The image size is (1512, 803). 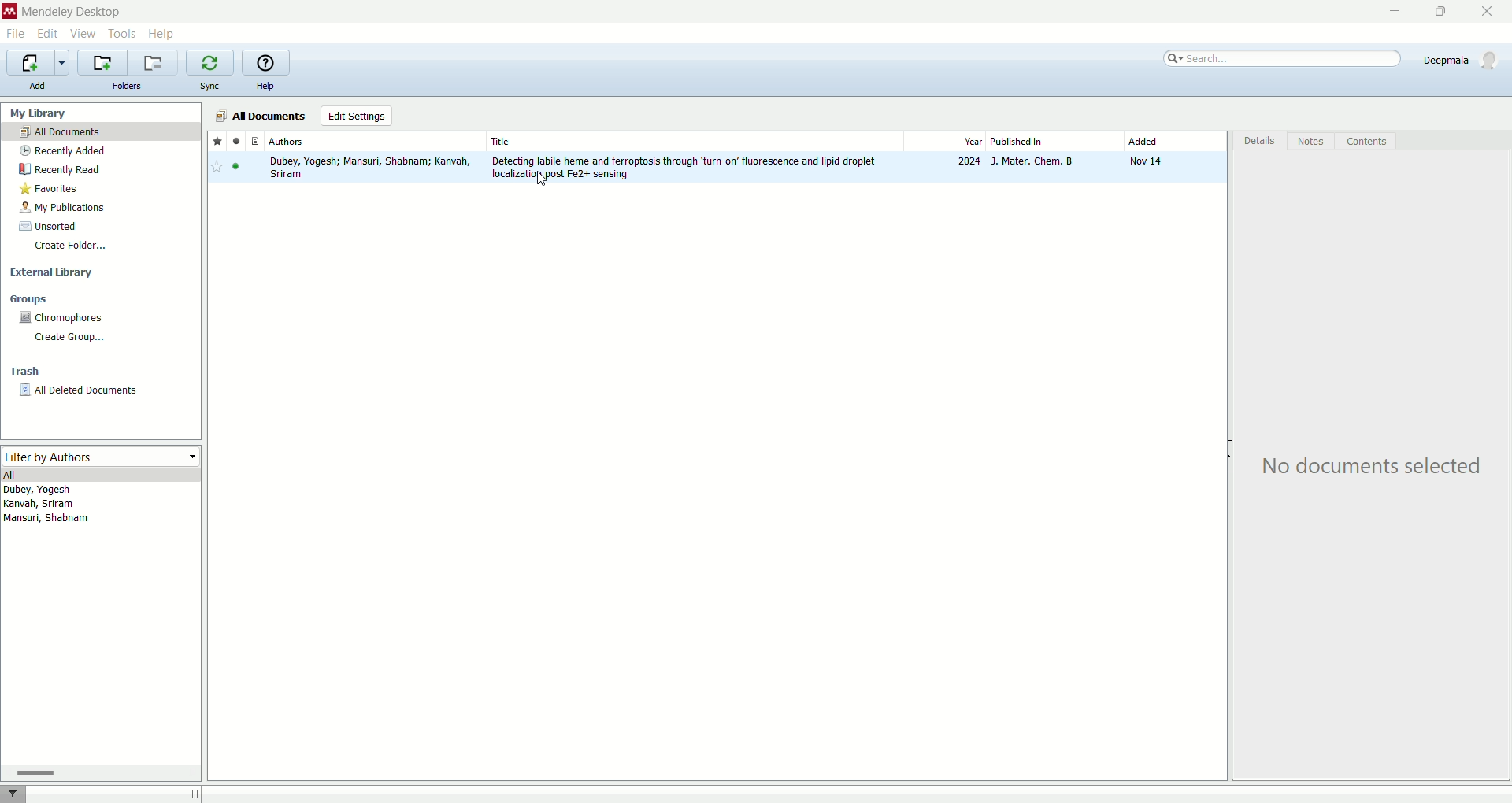 I want to click on notes, so click(x=1314, y=142).